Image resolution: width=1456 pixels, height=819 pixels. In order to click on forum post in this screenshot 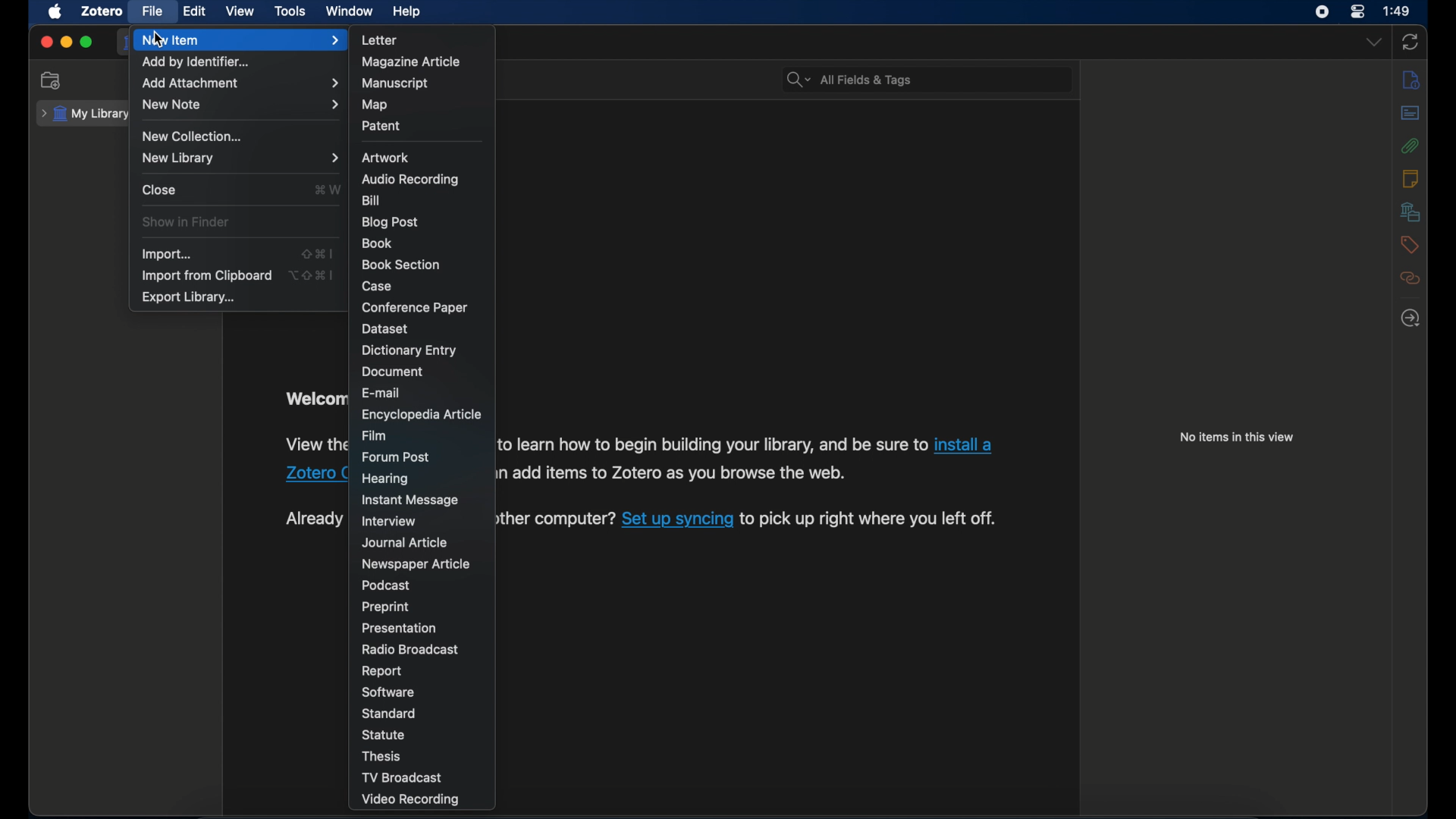, I will do `click(396, 457)`.